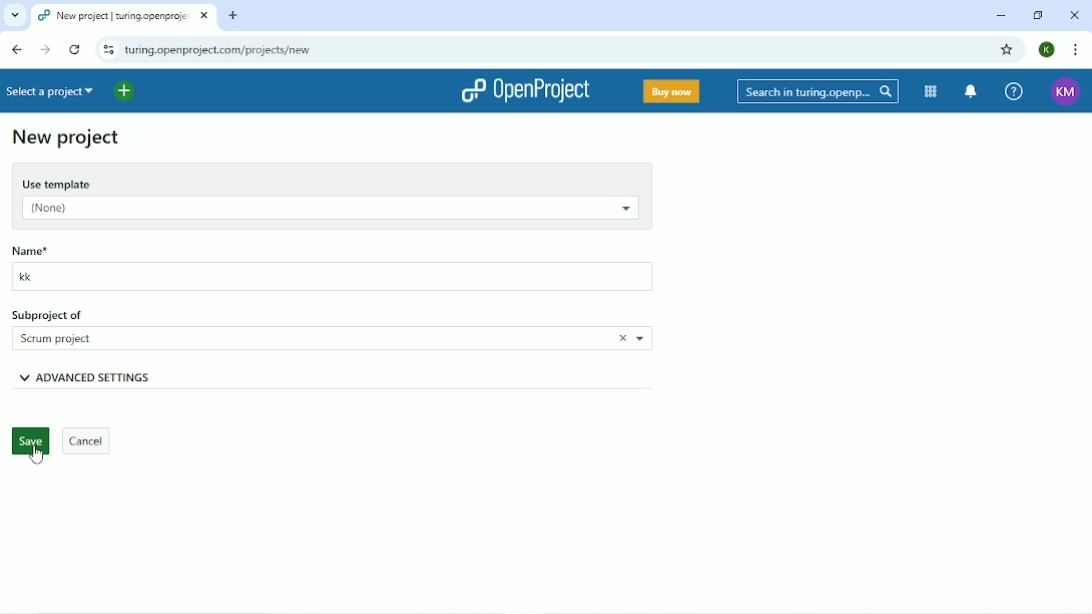  Describe the element at coordinates (87, 441) in the screenshot. I see `Cancel` at that location.